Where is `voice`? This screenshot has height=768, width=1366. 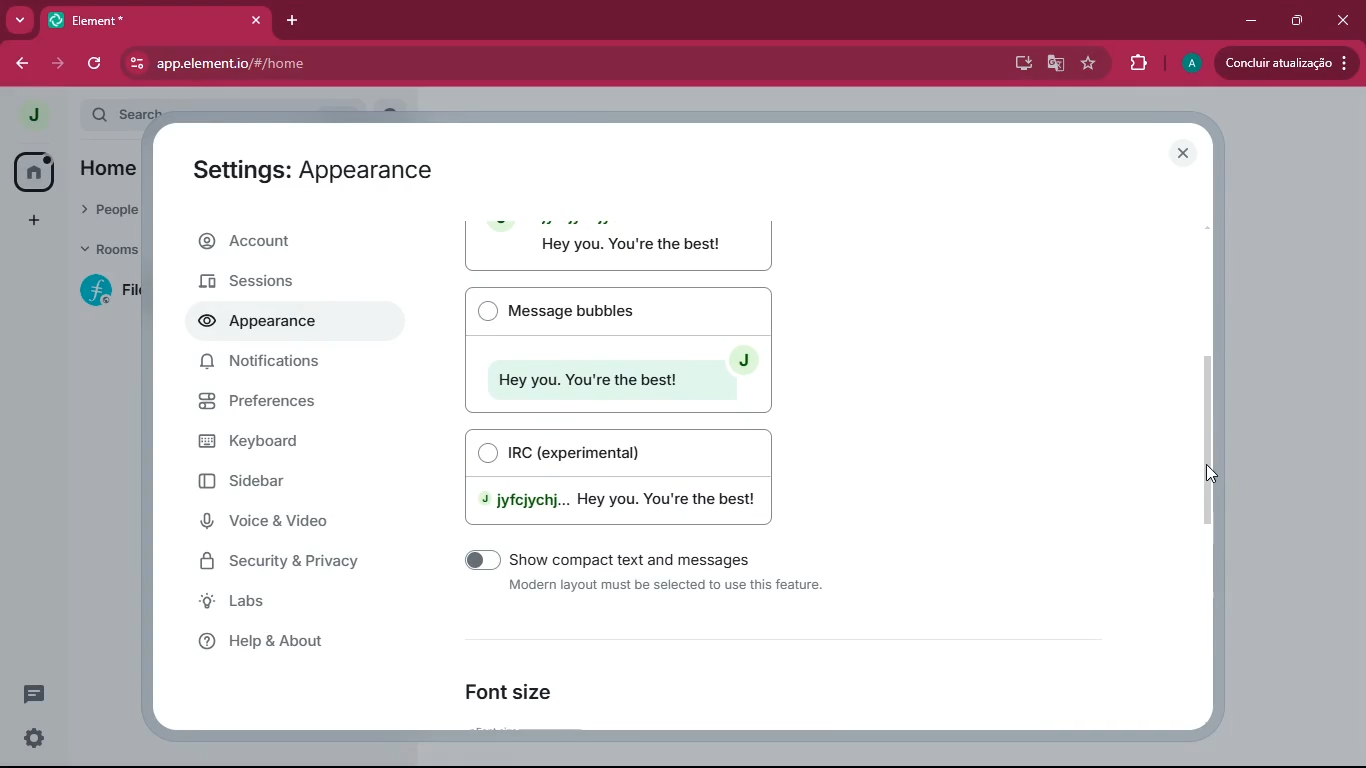 voice is located at coordinates (289, 522).